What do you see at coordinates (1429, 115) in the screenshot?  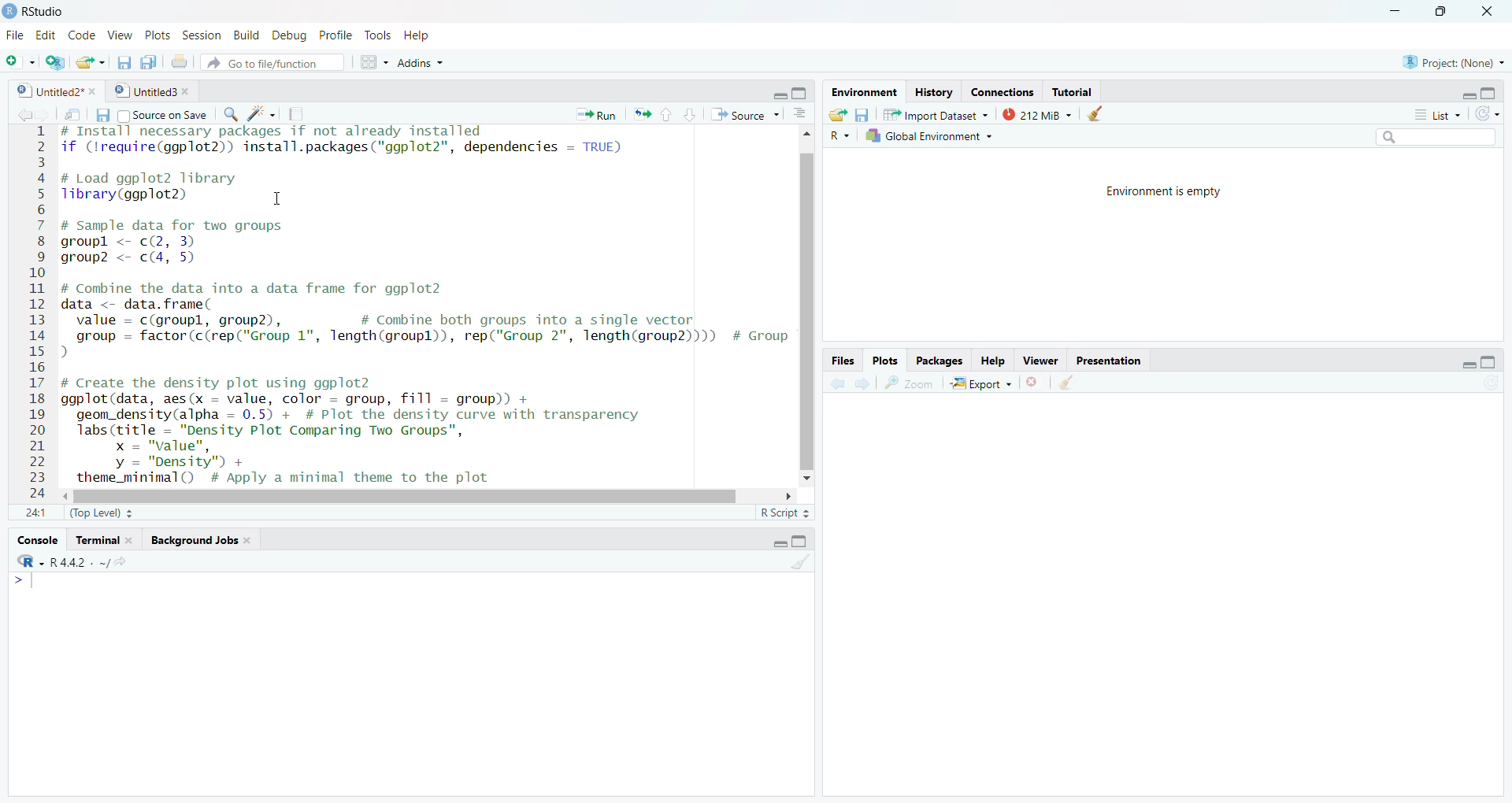 I see `list` at bounding box center [1429, 115].